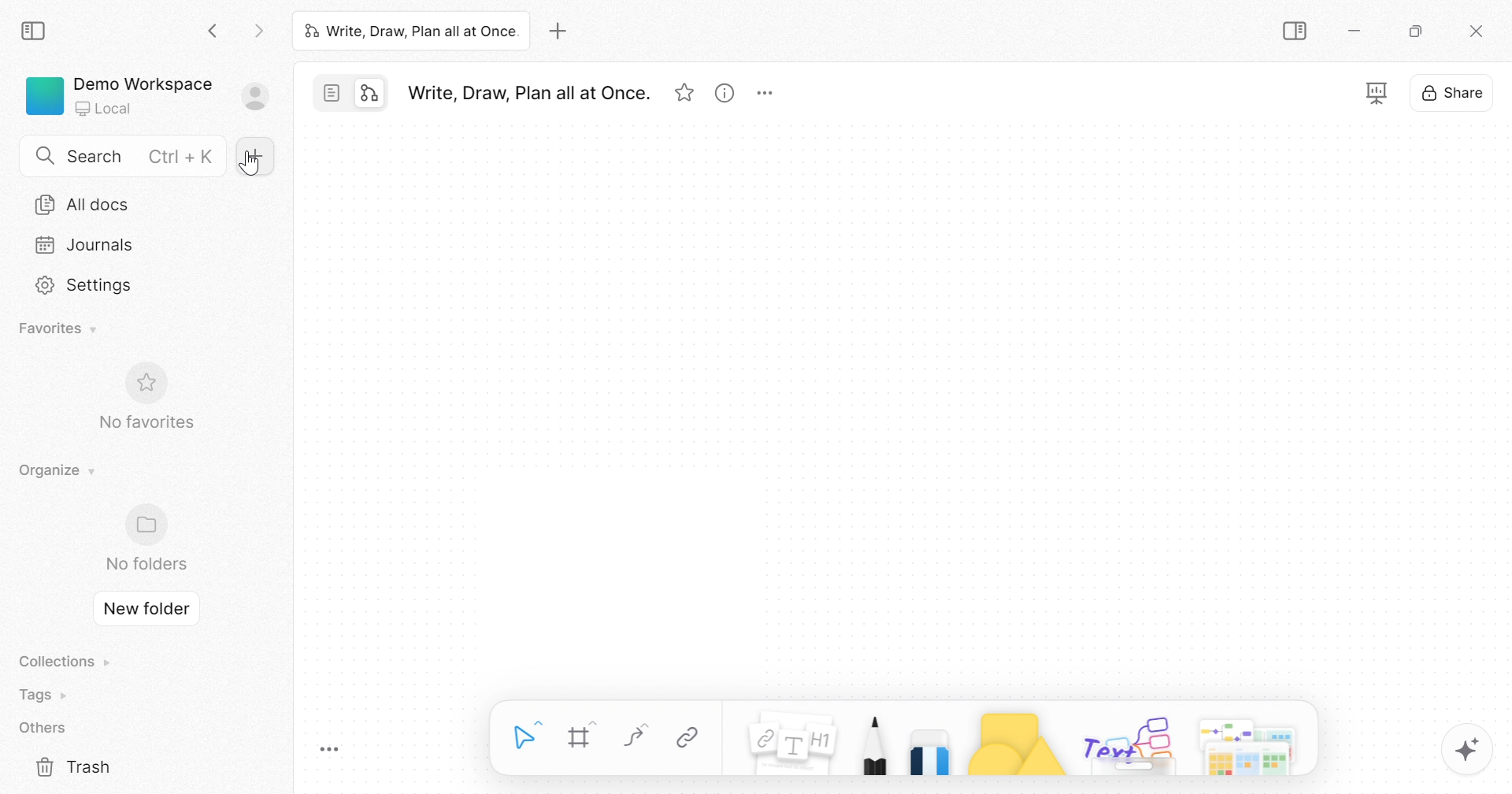  What do you see at coordinates (765, 92) in the screenshot?
I see `More Options` at bounding box center [765, 92].